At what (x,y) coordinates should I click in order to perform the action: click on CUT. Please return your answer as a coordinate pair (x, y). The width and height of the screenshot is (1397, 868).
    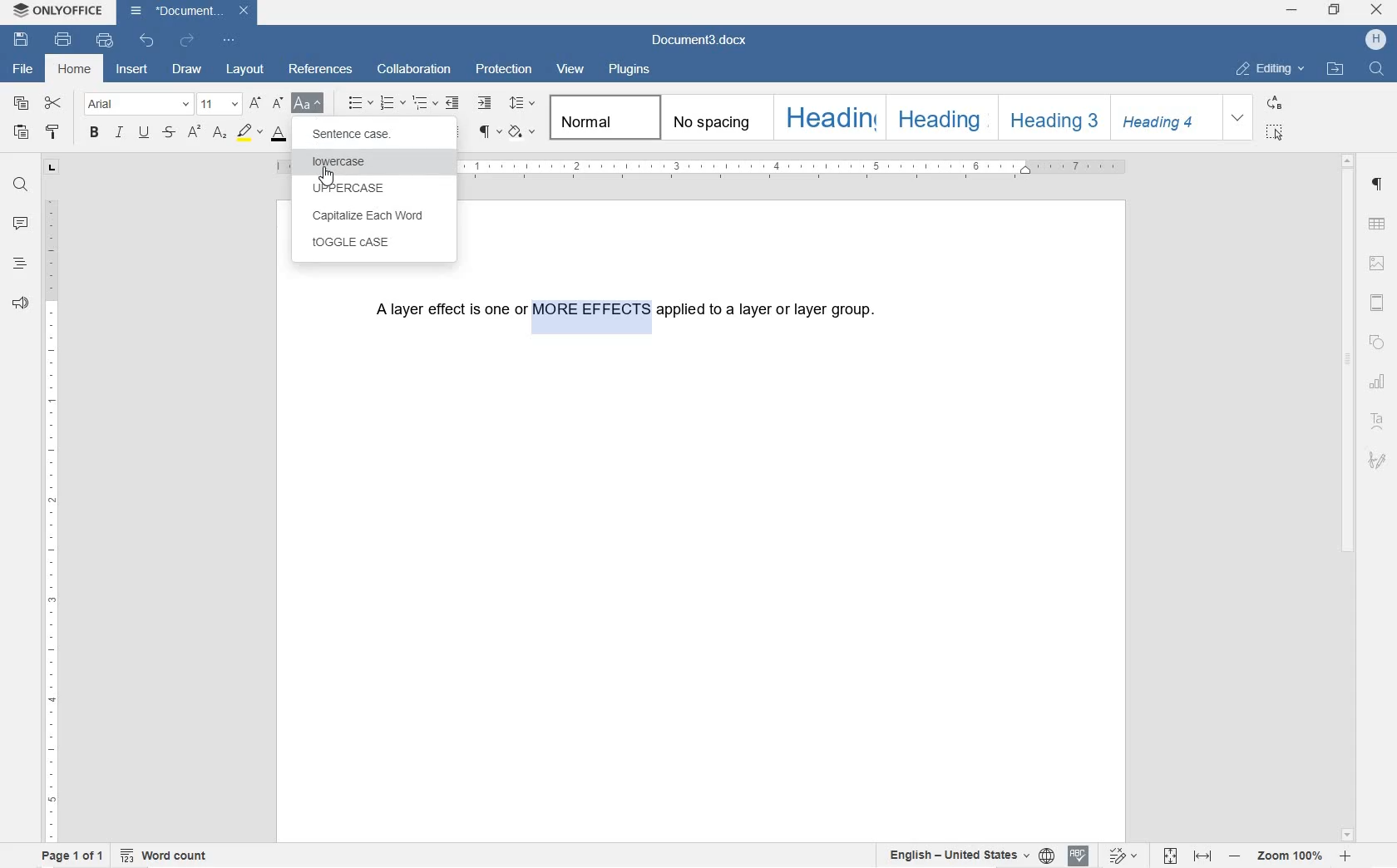
    Looking at the image, I should click on (53, 103).